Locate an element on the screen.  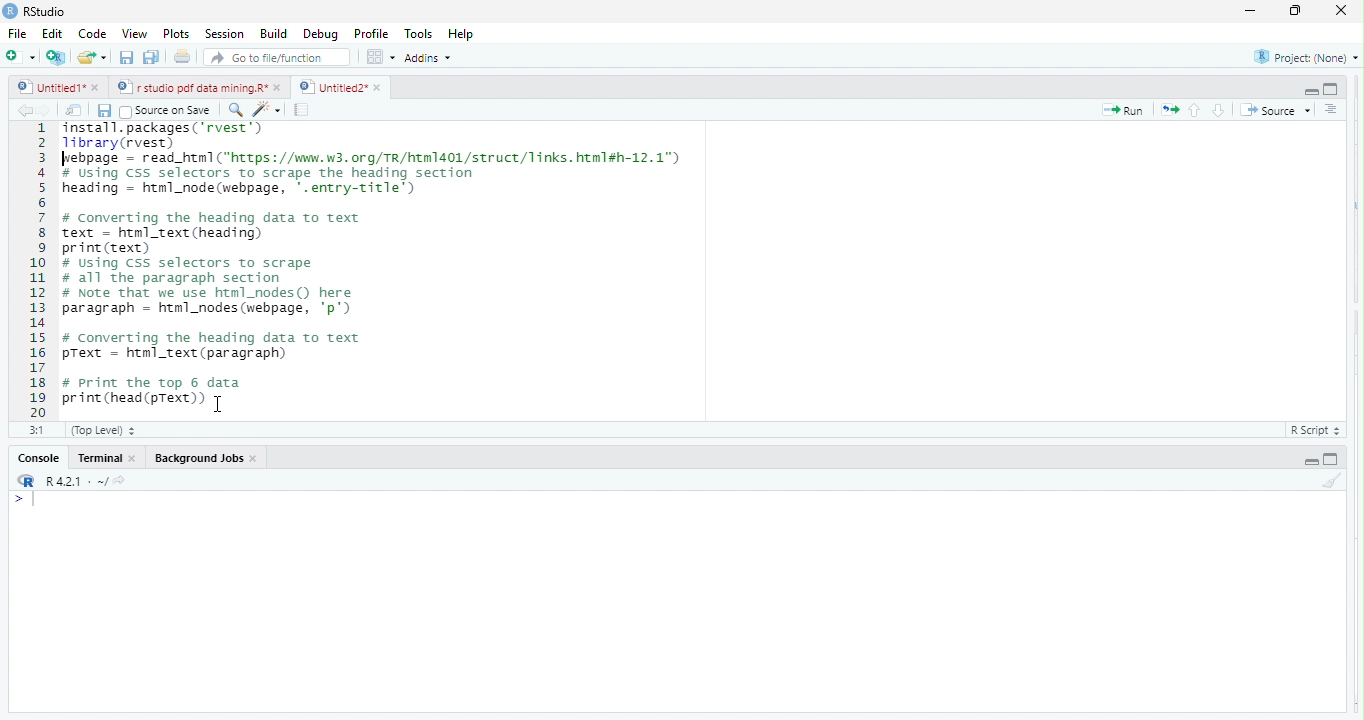
close is located at coordinates (1335, 10).